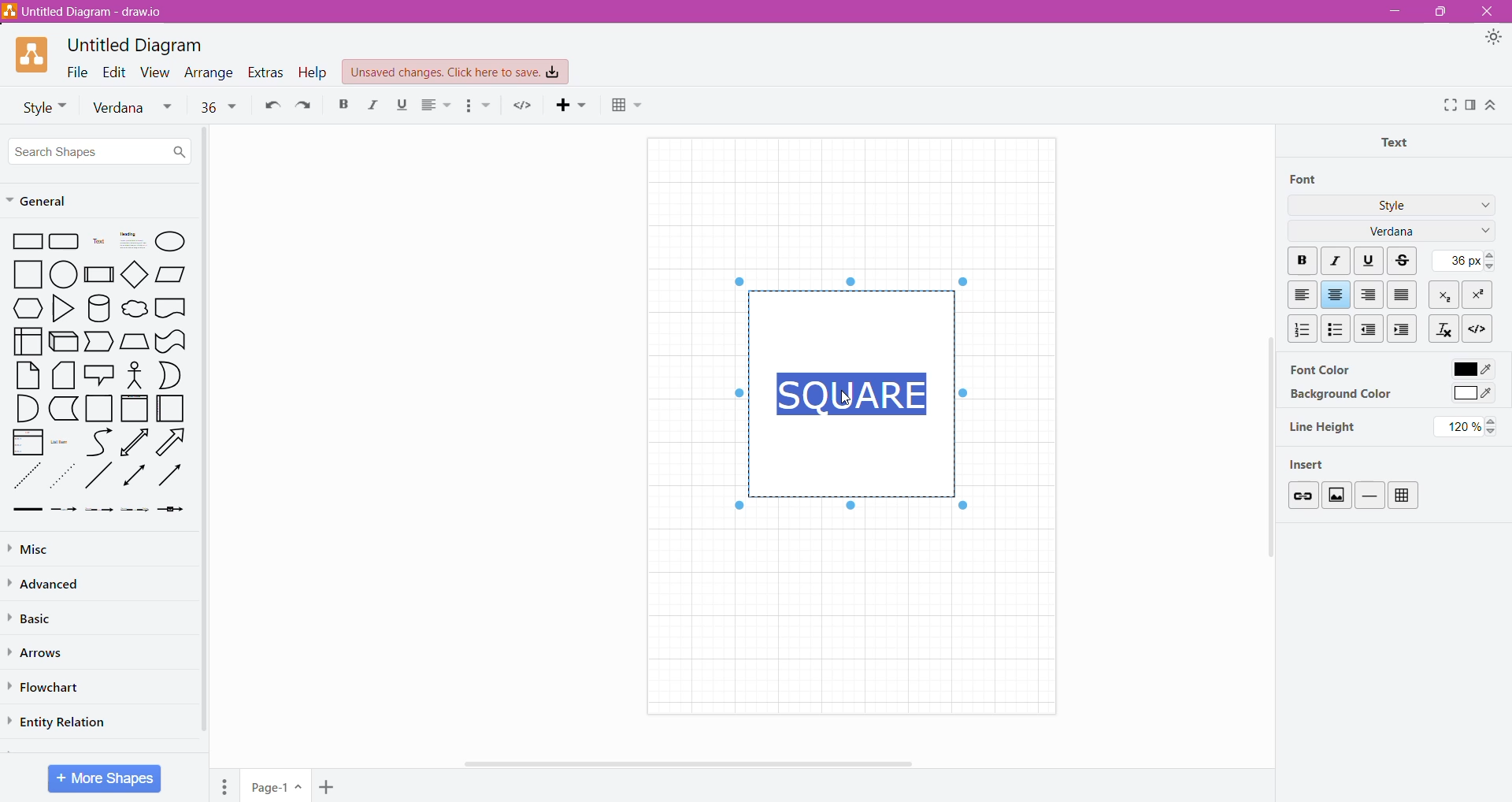 This screenshot has height=802, width=1512. Describe the element at coordinates (134, 442) in the screenshot. I see `Upward line` at that location.